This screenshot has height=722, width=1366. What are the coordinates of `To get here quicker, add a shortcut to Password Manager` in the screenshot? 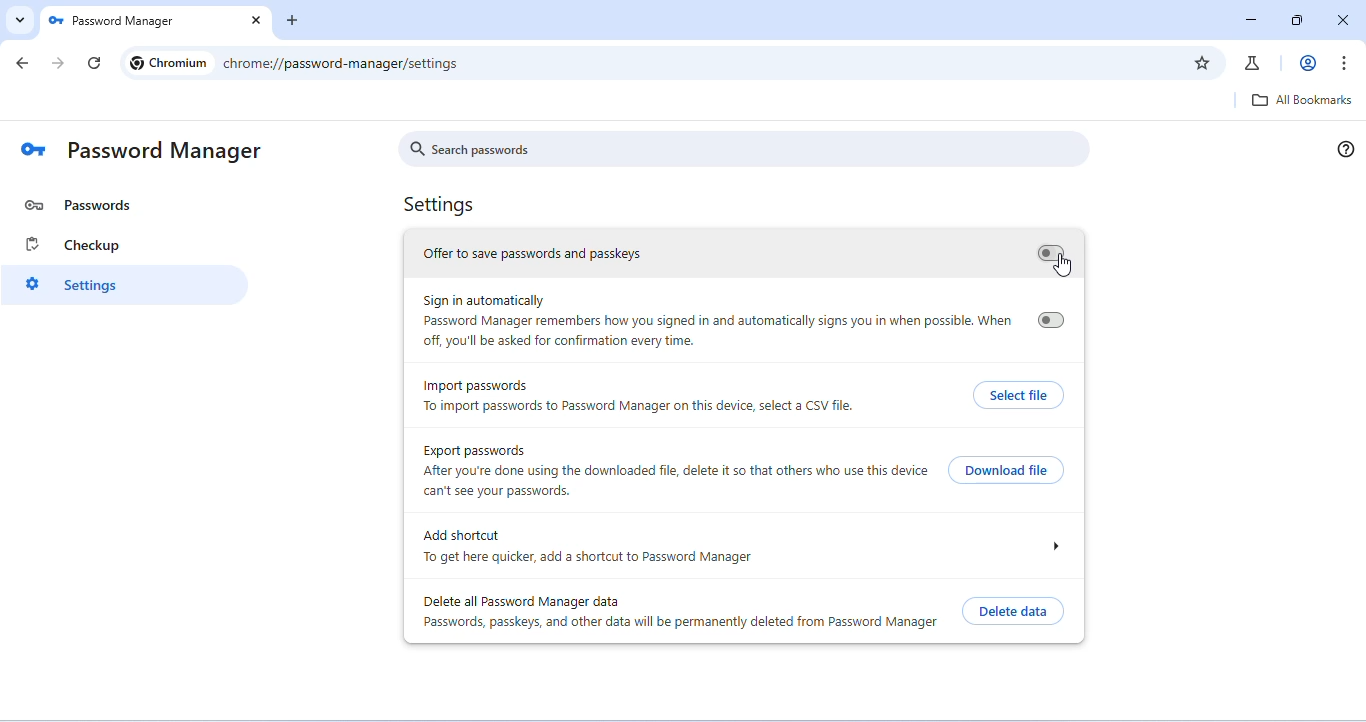 It's located at (586, 556).